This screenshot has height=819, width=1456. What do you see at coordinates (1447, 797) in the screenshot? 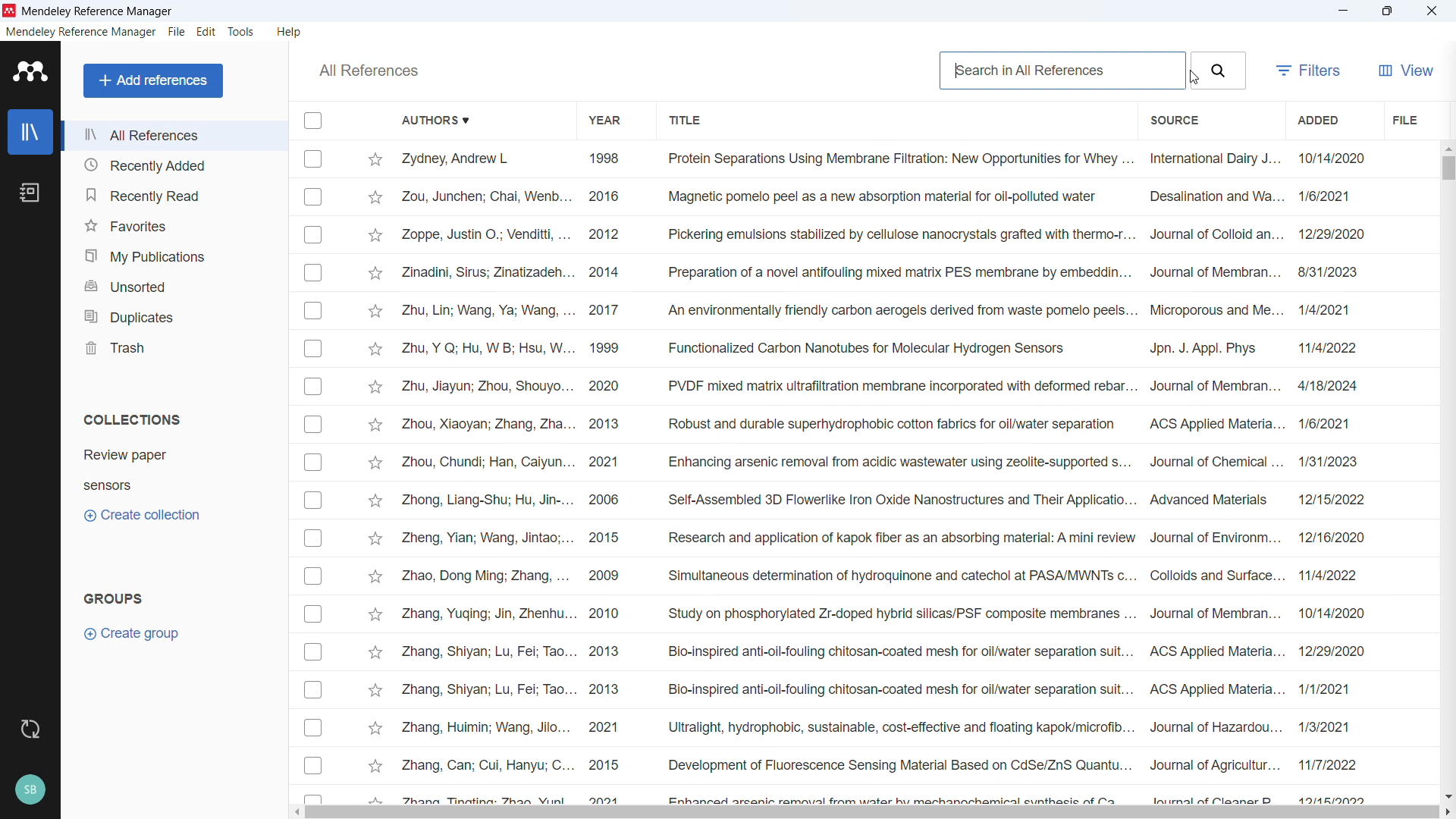
I see `Scroll down ` at bounding box center [1447, 797].